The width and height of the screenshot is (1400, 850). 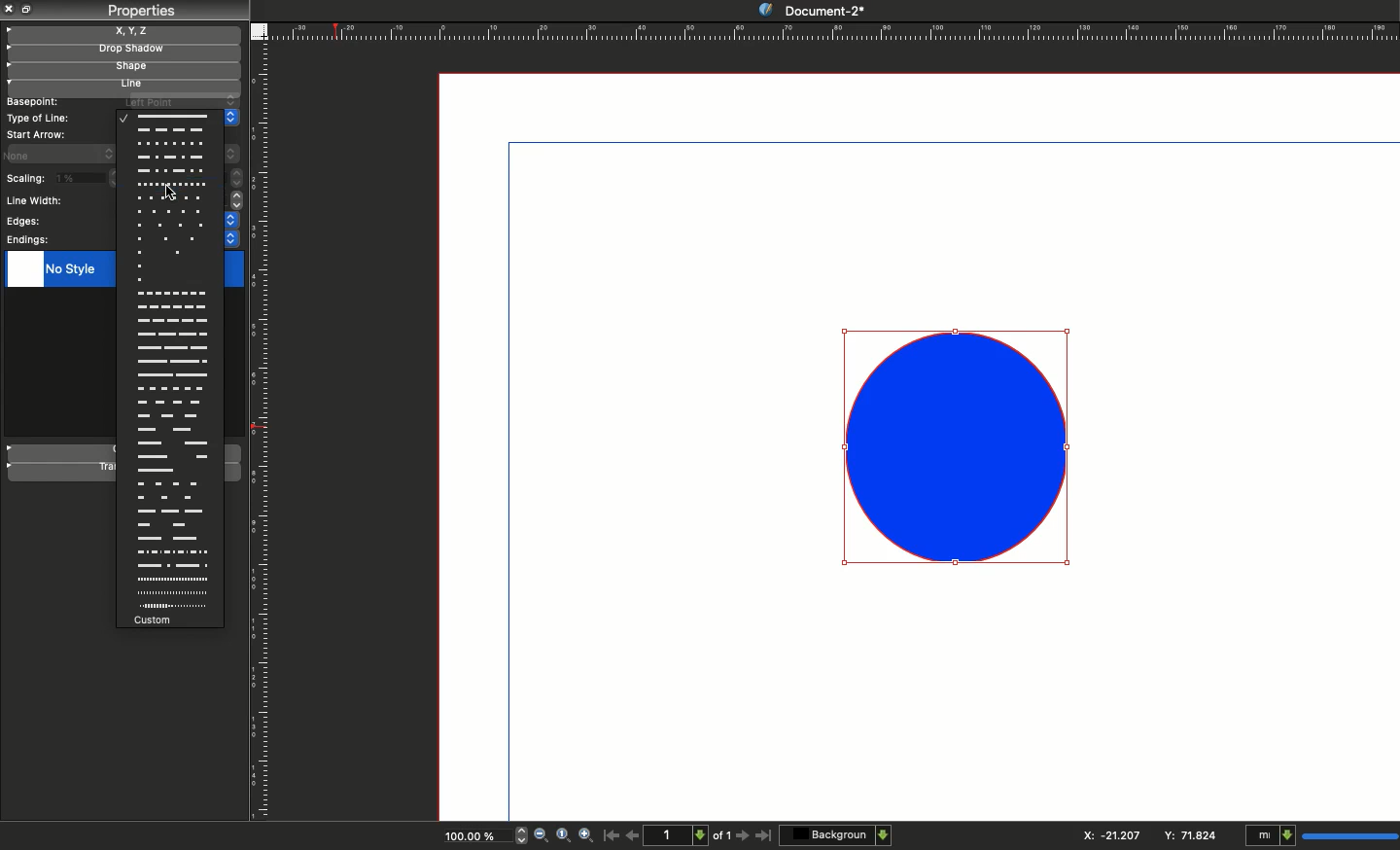 I want to click on line option, so click(x=170, y=443).